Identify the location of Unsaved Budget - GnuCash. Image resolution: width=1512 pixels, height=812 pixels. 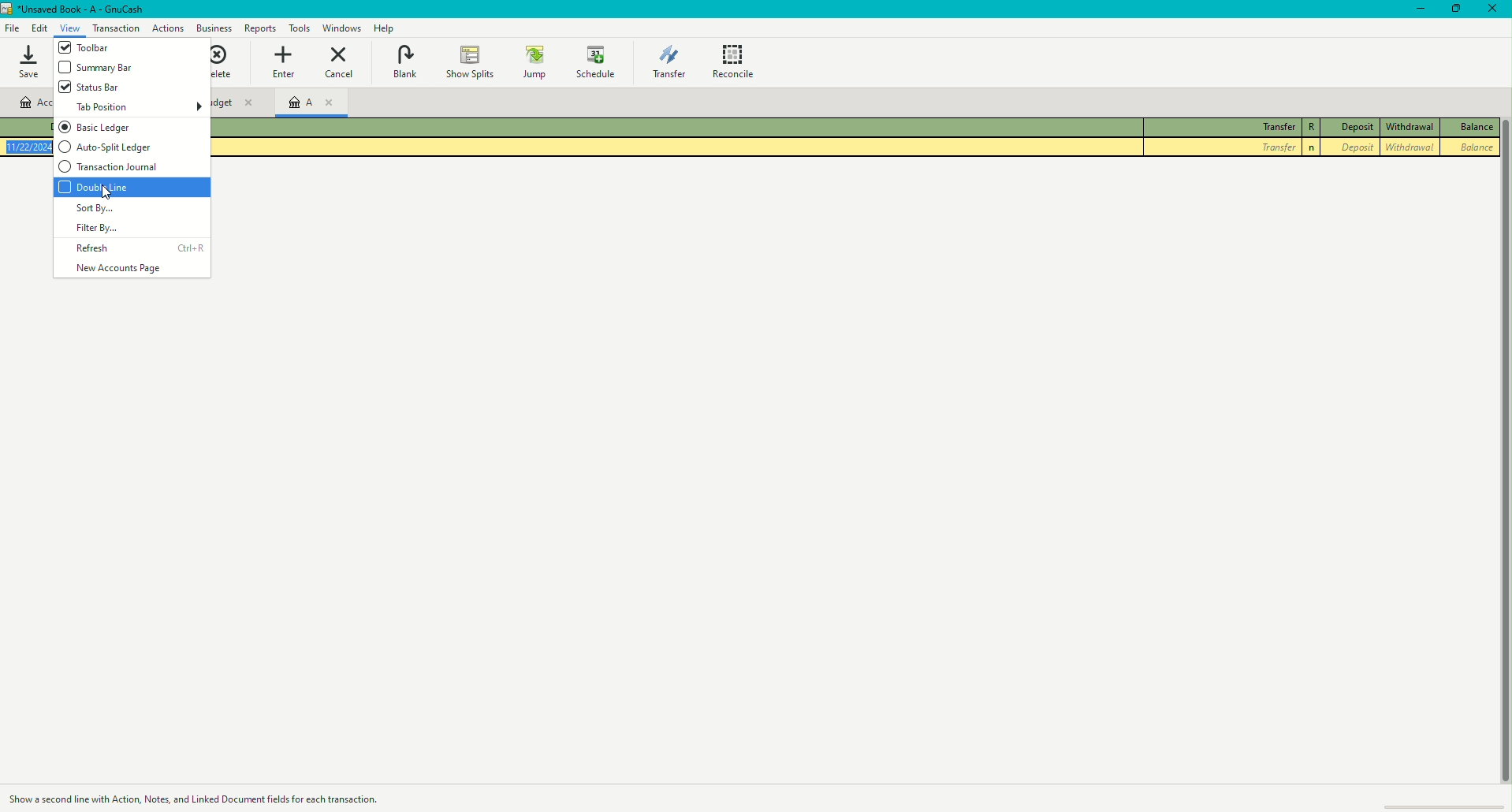
(76, 9).